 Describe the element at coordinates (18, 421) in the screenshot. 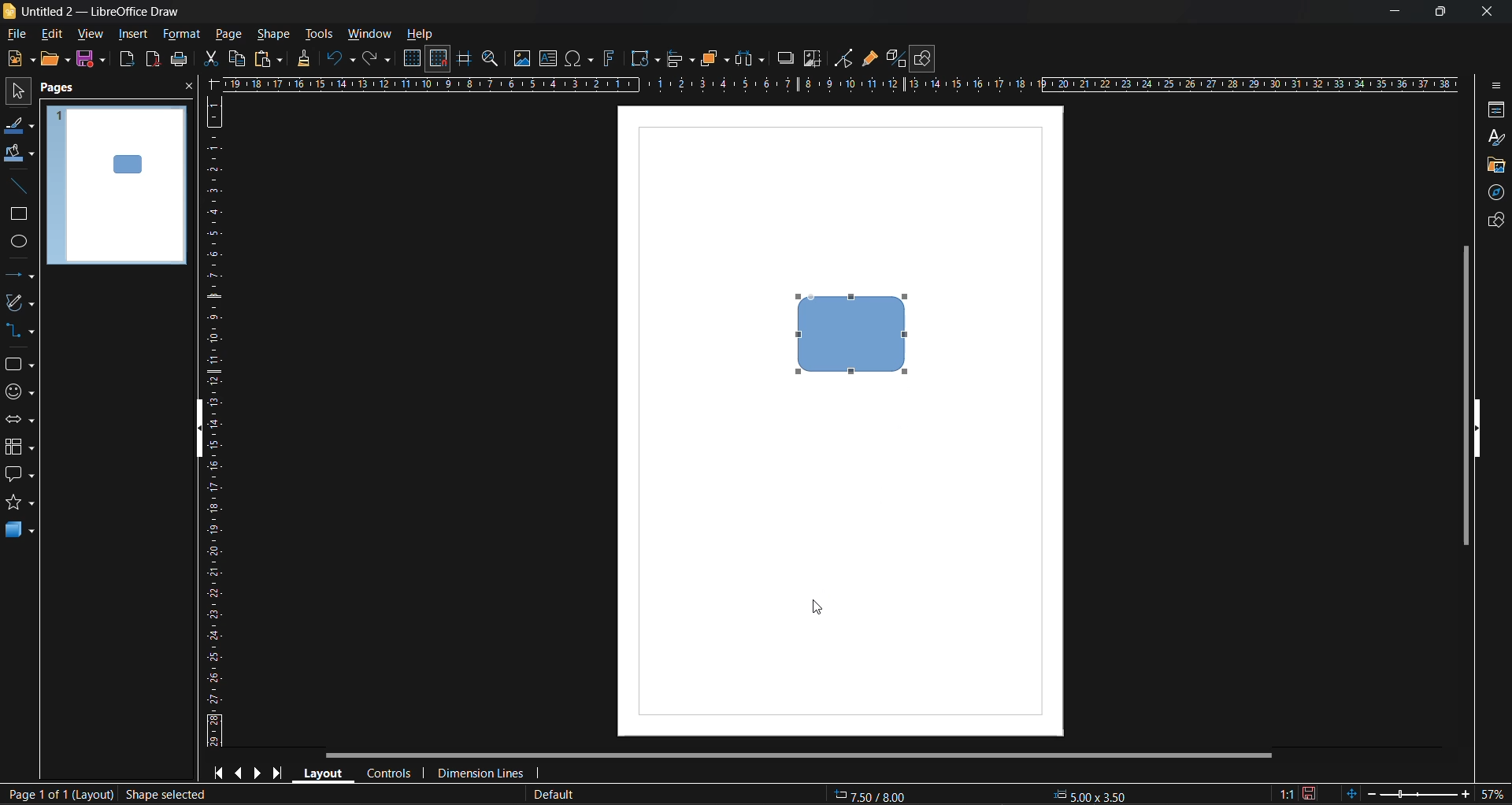

I see `block arrows` at that location.